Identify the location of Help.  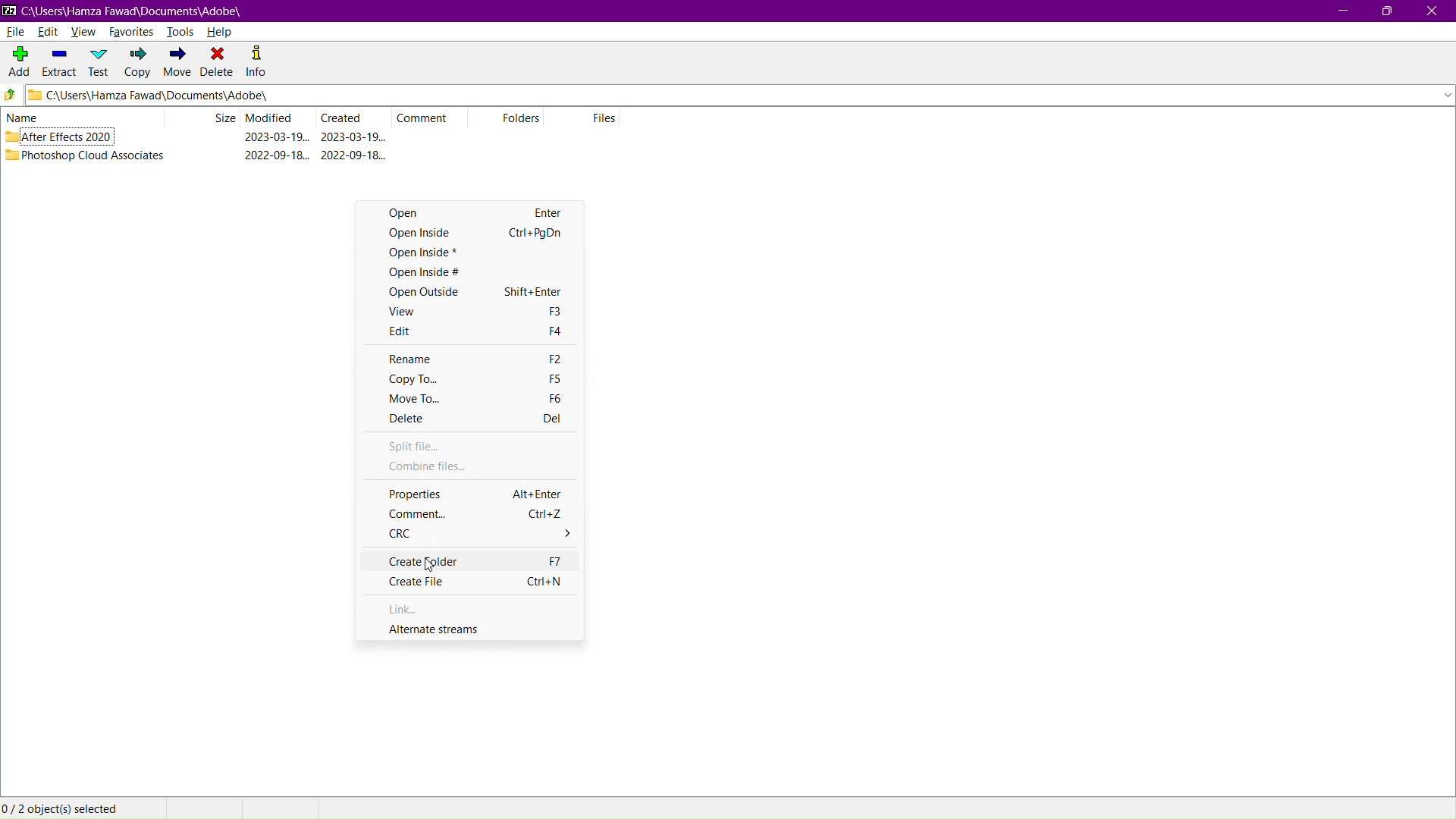
(224, 32).